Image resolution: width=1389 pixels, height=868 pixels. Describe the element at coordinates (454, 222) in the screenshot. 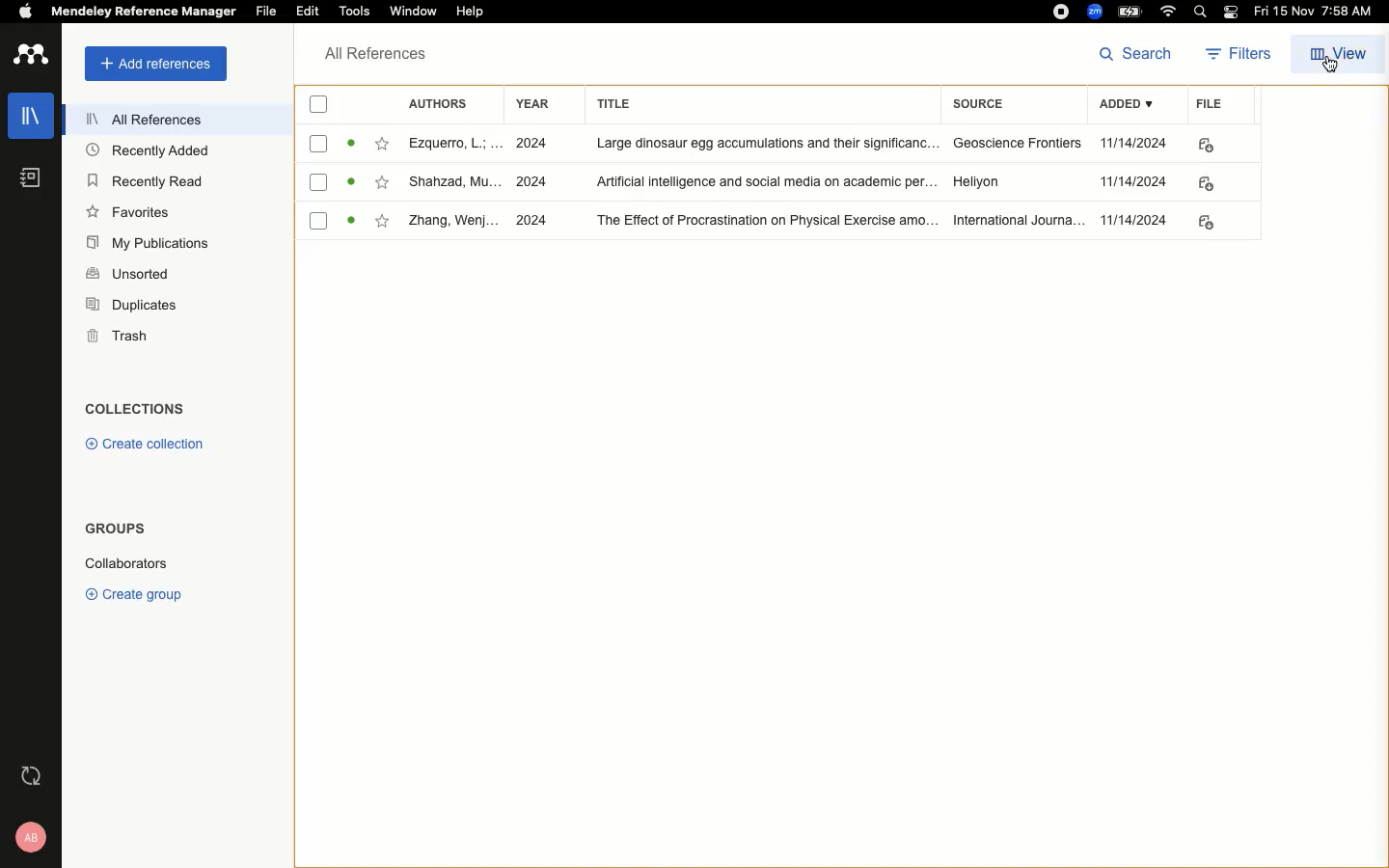

I see `Zhang, Wenj...` at that location.